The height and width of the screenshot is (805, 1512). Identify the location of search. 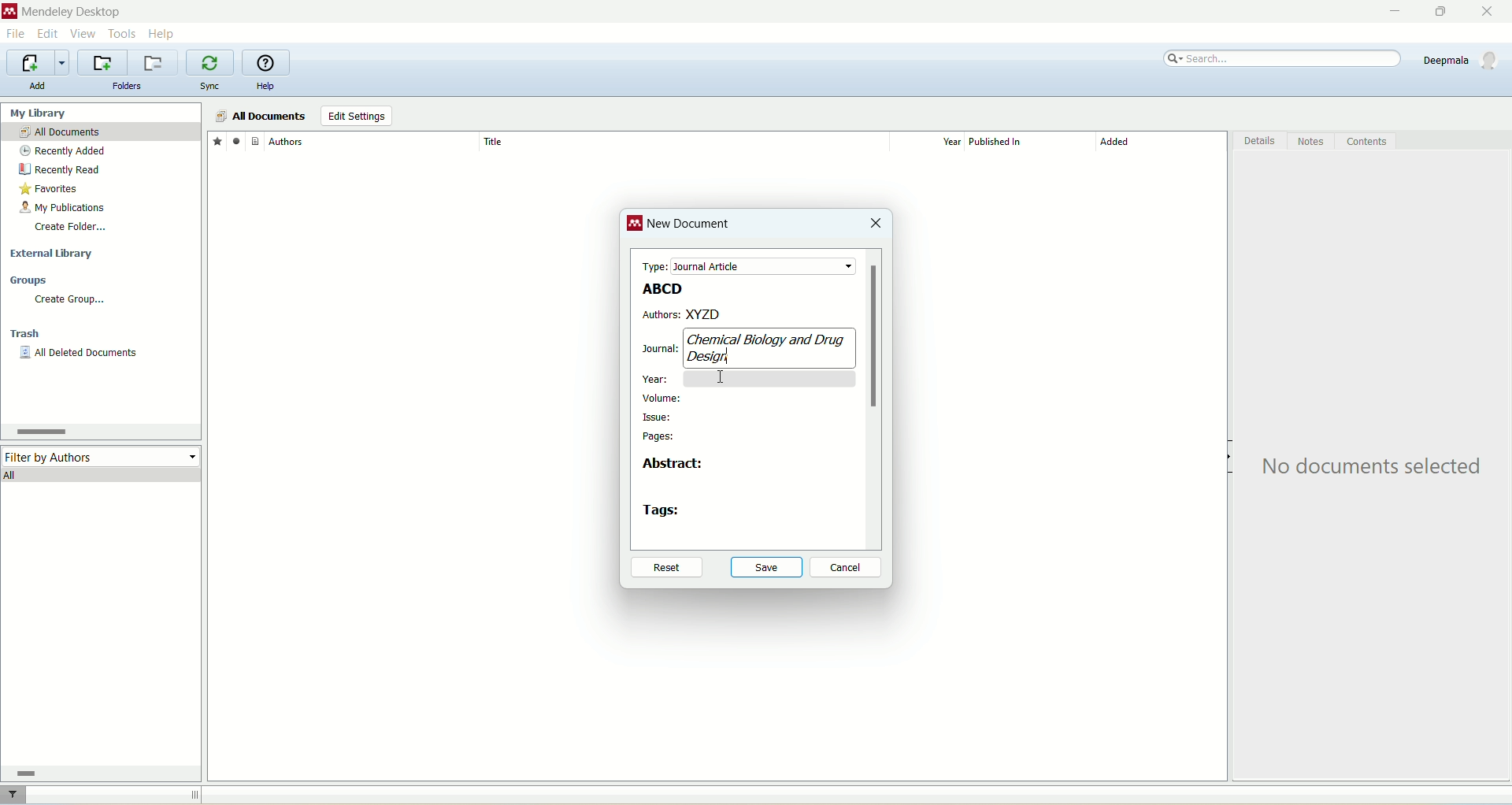
(1284, 59).